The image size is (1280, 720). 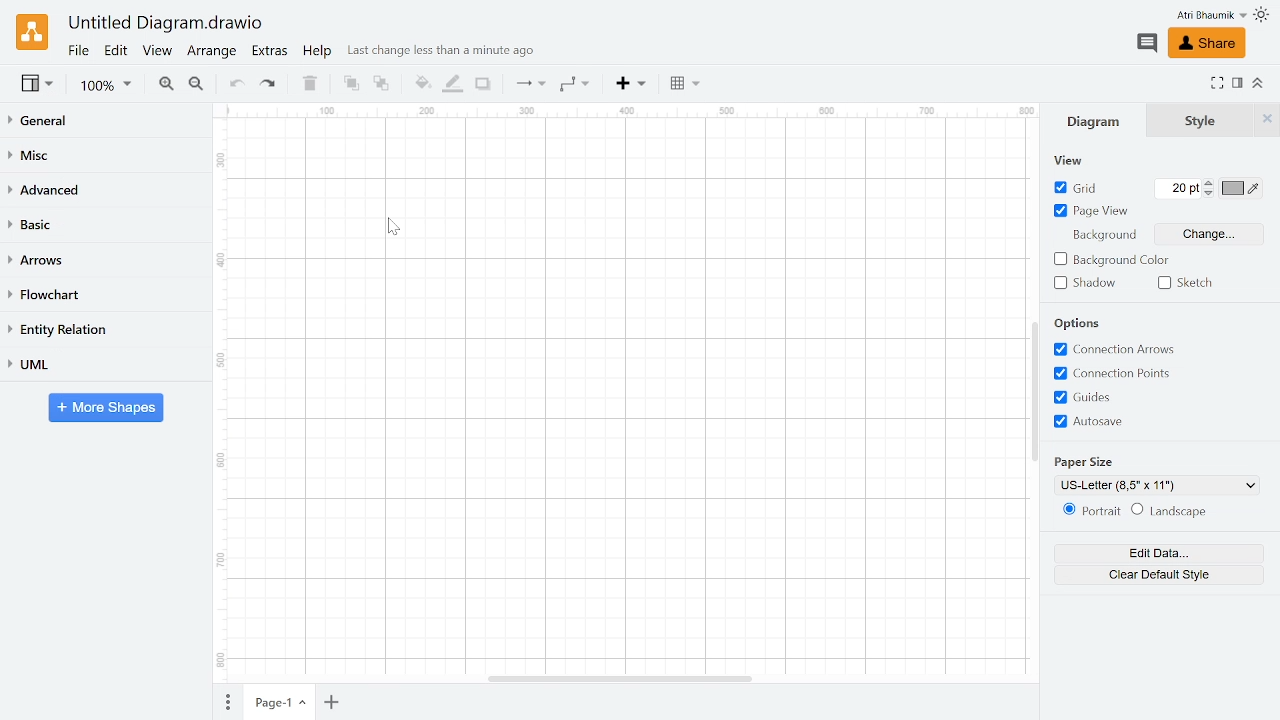 I want to click on Potrait, so click(x=1090, y=511).